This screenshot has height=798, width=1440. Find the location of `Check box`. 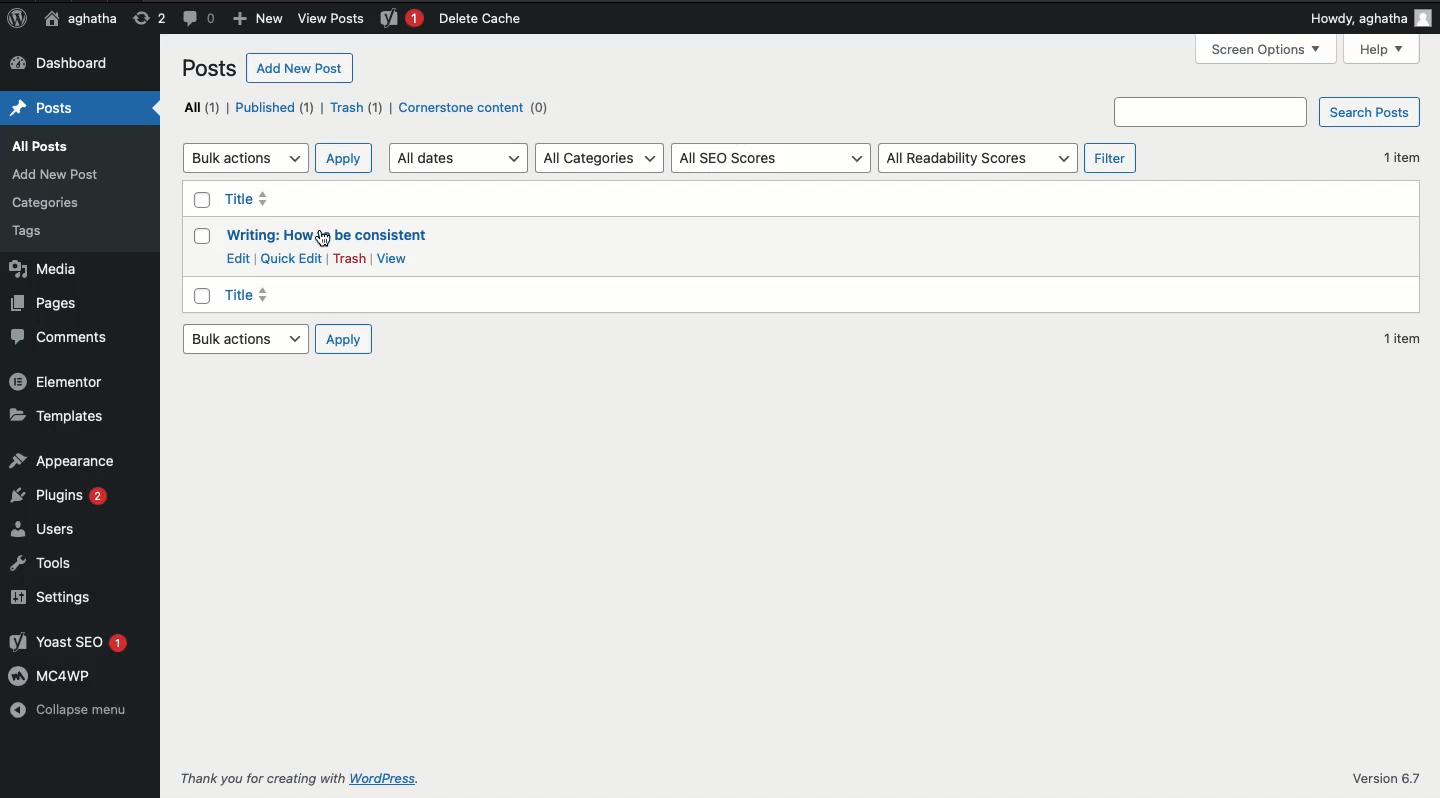

Check box is located at coordinates (200, 296).